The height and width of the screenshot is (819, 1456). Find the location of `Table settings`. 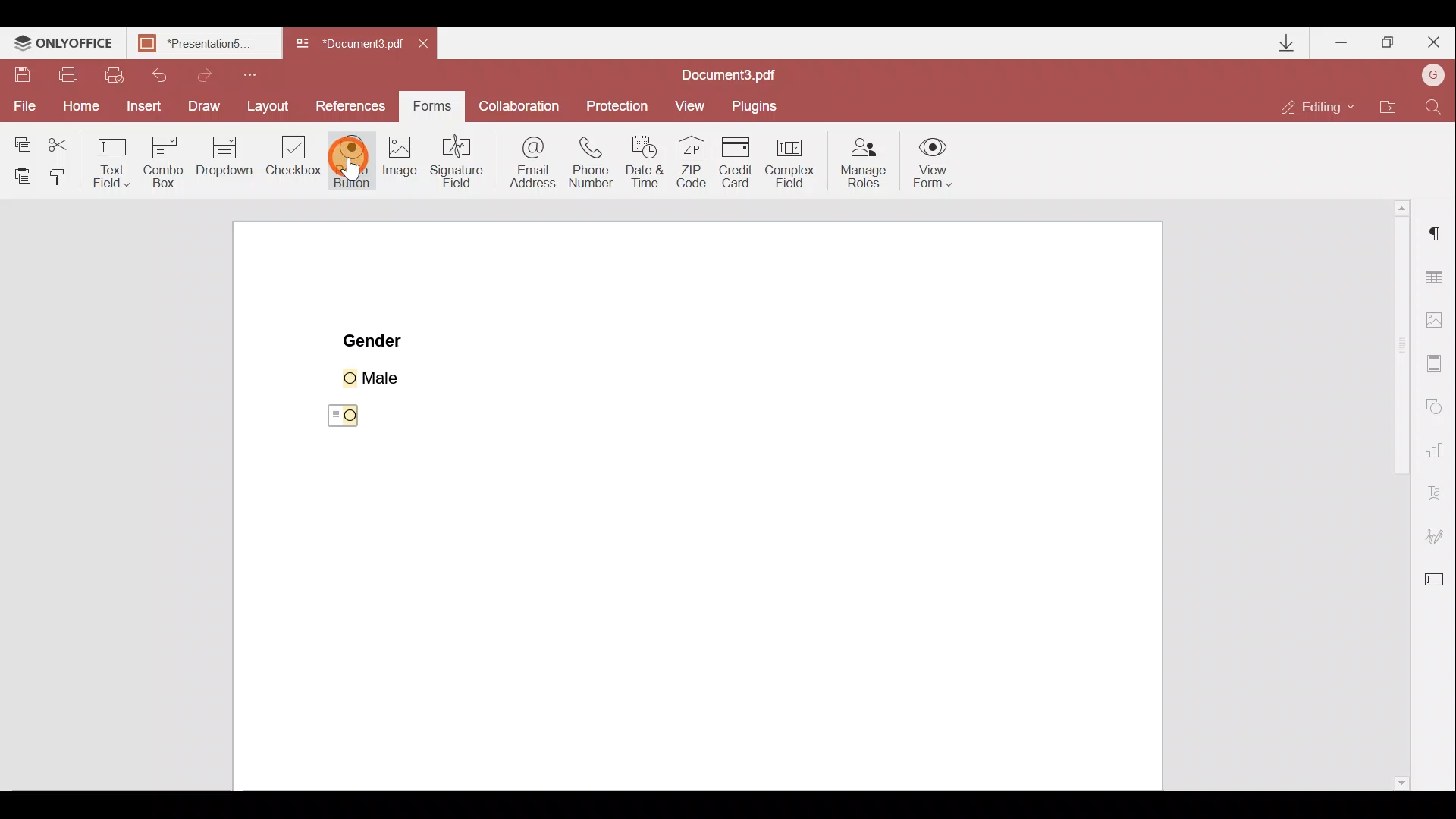

Table settings is located at coordinates (1437, 274).